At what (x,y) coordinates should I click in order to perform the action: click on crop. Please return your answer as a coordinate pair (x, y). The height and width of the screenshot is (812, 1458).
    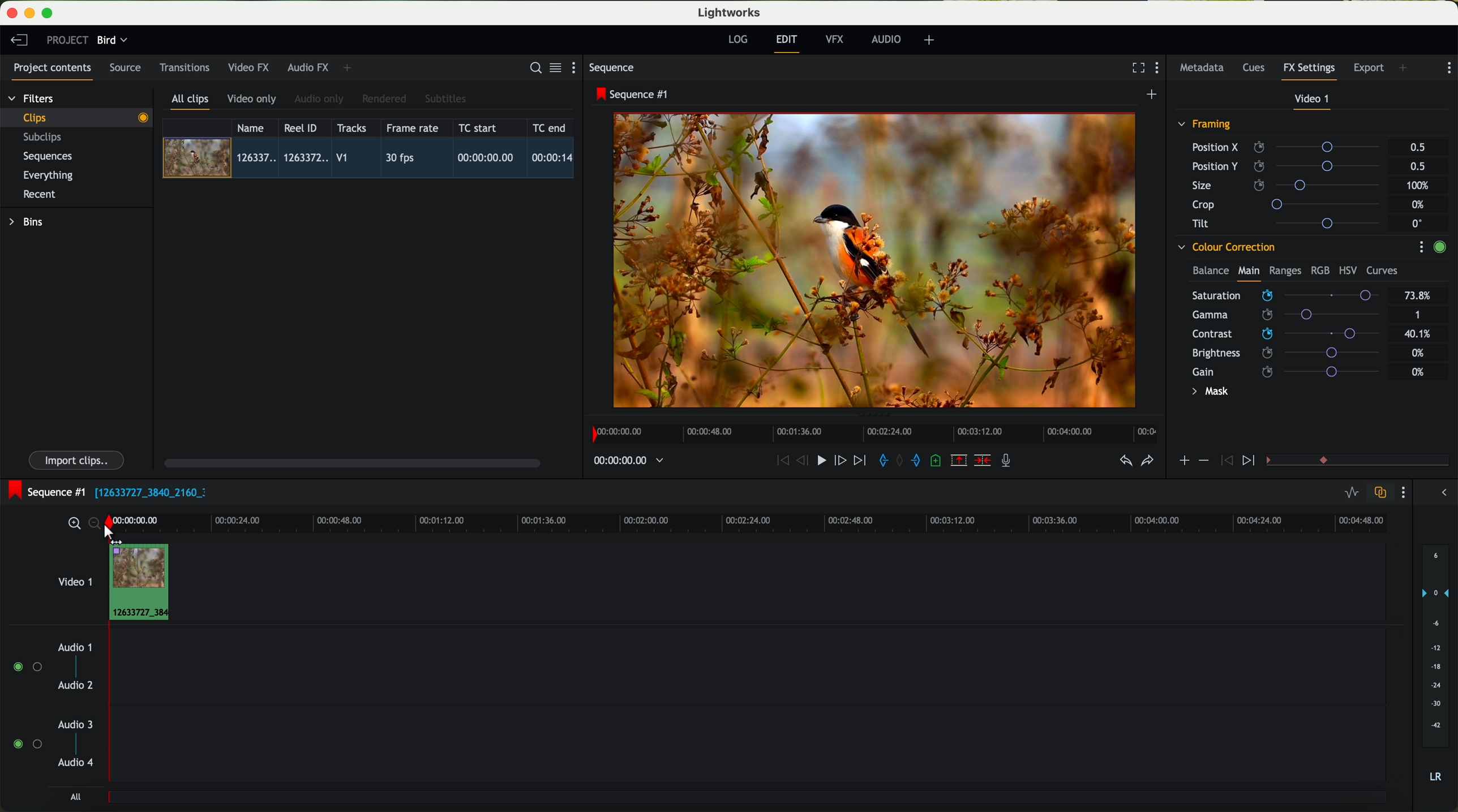
    Looking at the image, I should click on (1290, 204).